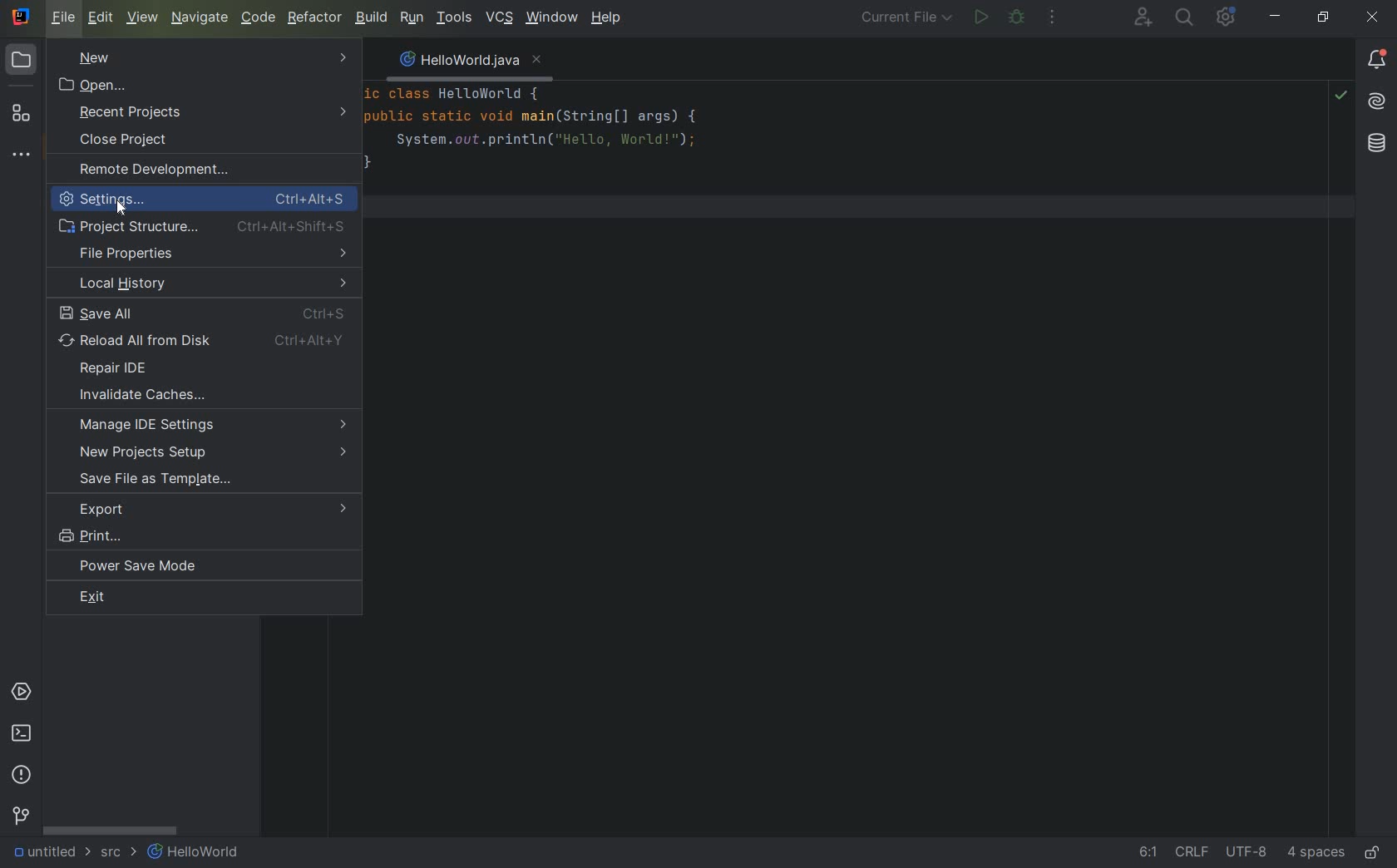 The height and width of the screenshot is (868, 1397). Describe the element at coordinates (1186, 17) in the screenshot. I see `SEARCH` at that location.